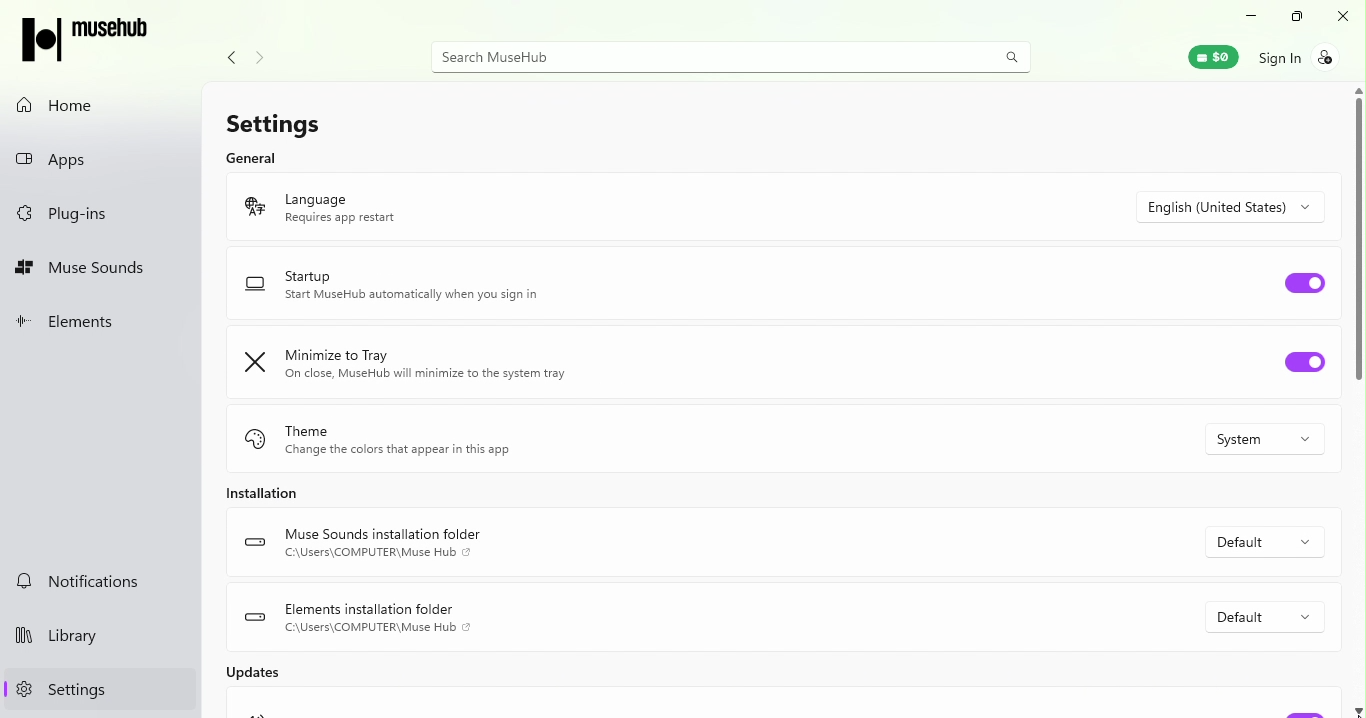 The height and width of the screenshot is (718, 1366). What do you see at coordinates (260, 57) in the screenshot?
I see `Navigate forward` at bounding box center [260, 57].